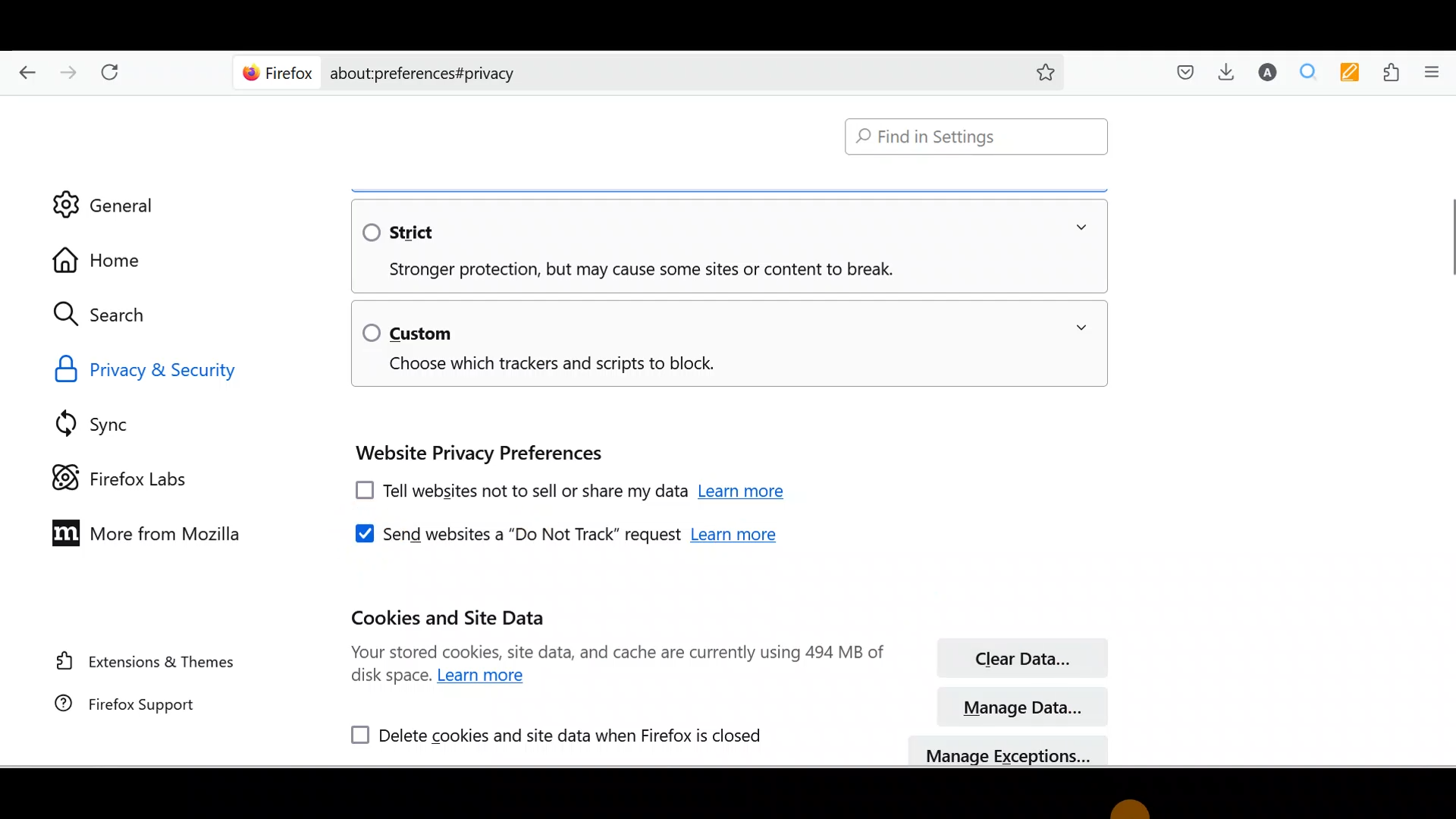  Describe the element at coordinates (542, 366) in the screenshot. I see `Choose which trackers and scripts to block.` at that location.